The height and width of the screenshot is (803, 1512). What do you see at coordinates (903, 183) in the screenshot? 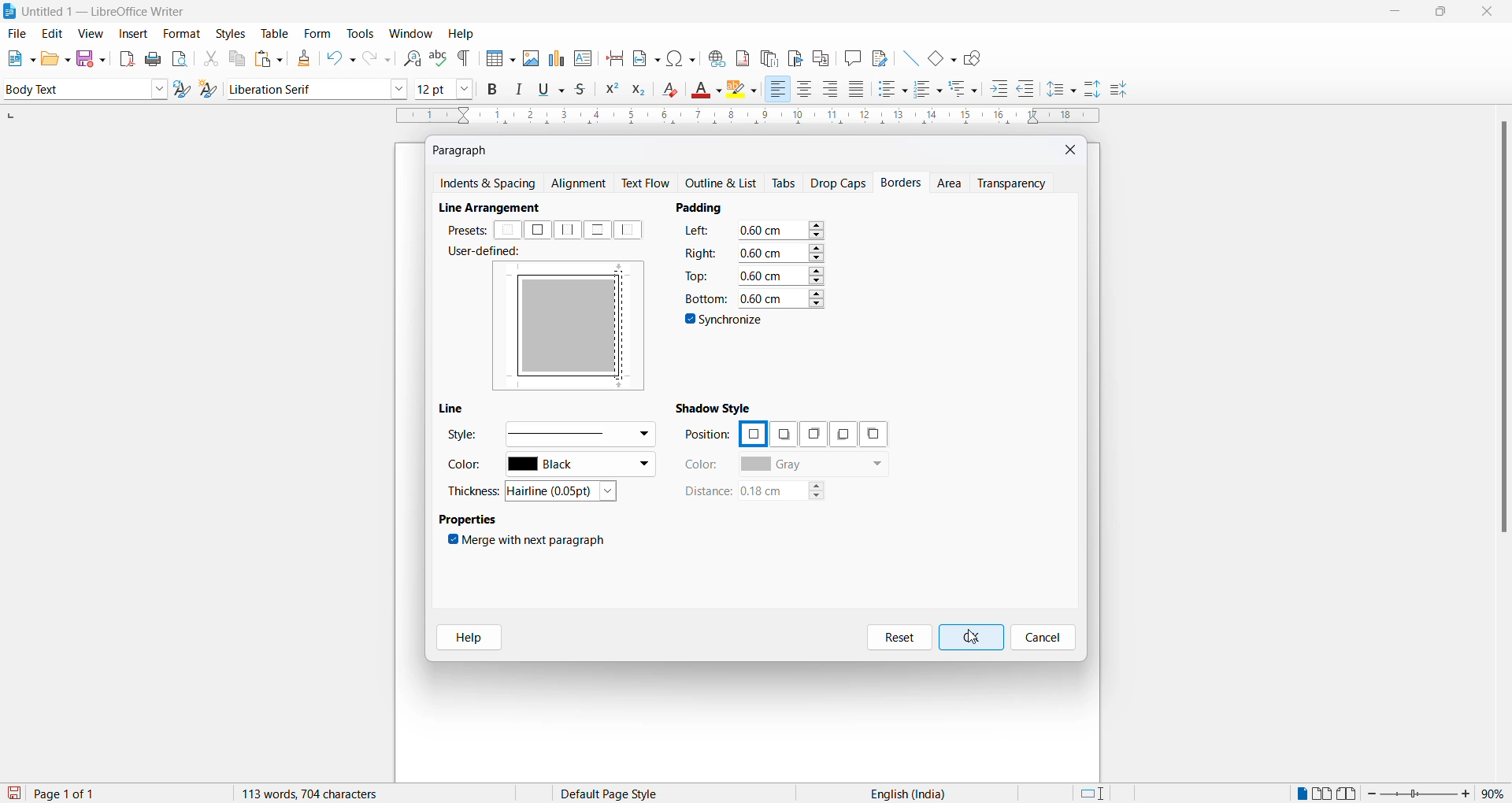
I see `borders` at bounding box center [903, 183].